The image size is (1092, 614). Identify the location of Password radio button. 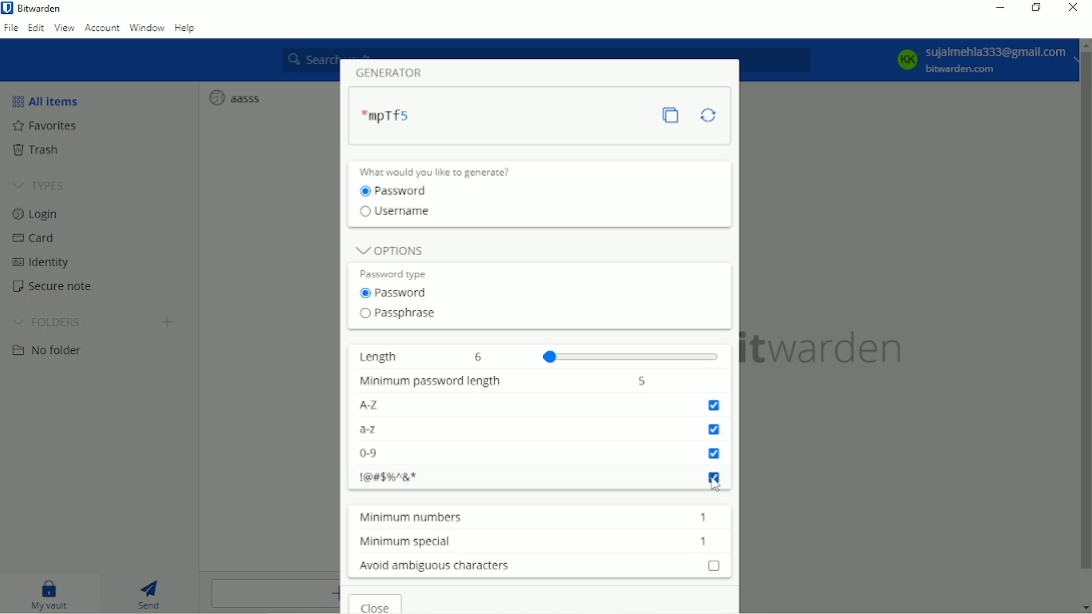
(402, 192).